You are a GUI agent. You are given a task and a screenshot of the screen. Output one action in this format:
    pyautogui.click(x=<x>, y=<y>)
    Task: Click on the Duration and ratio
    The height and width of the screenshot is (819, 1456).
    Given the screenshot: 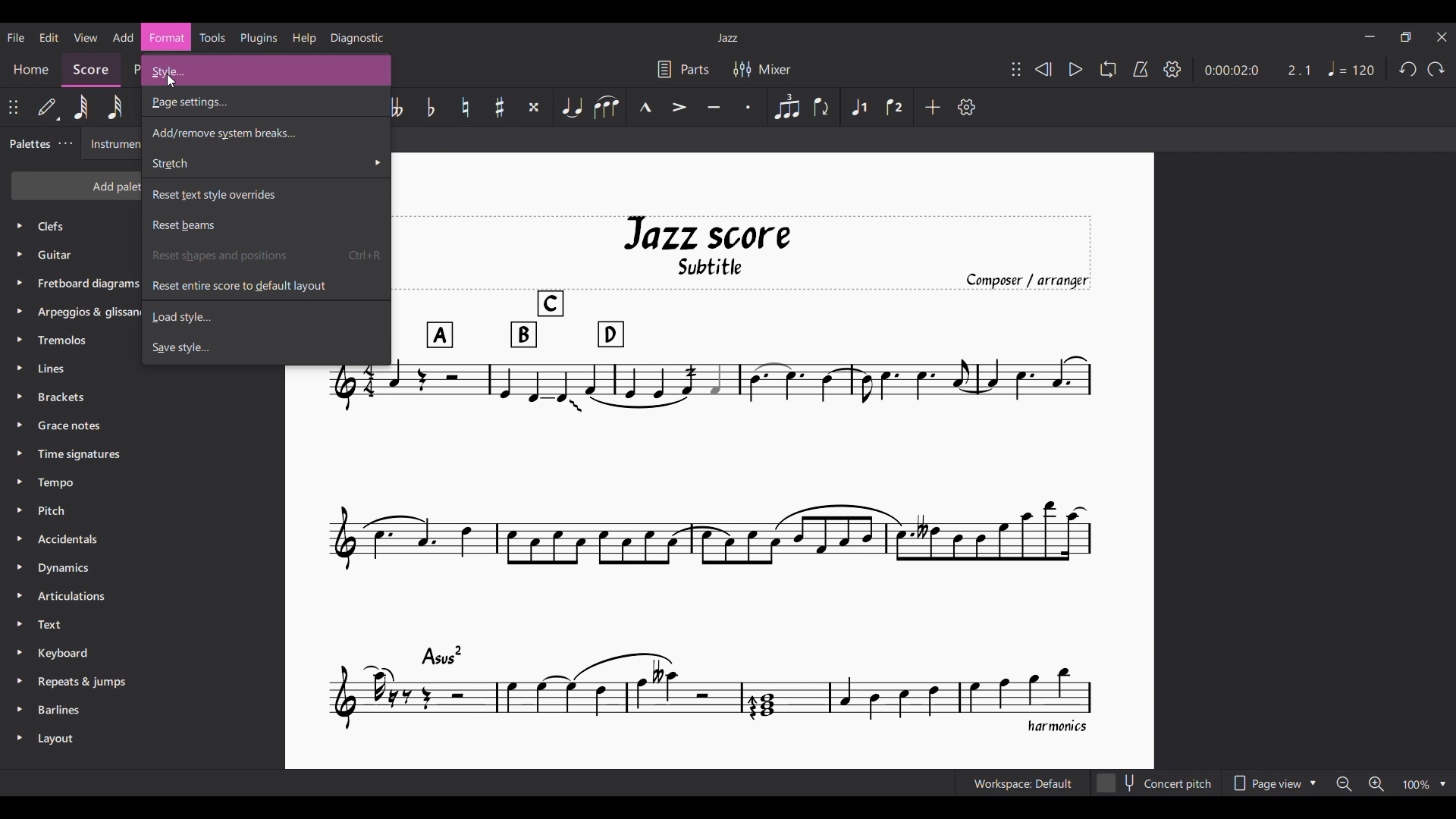 What is the action you would take?
    pyautogui.click(x=1258, y=71)
    